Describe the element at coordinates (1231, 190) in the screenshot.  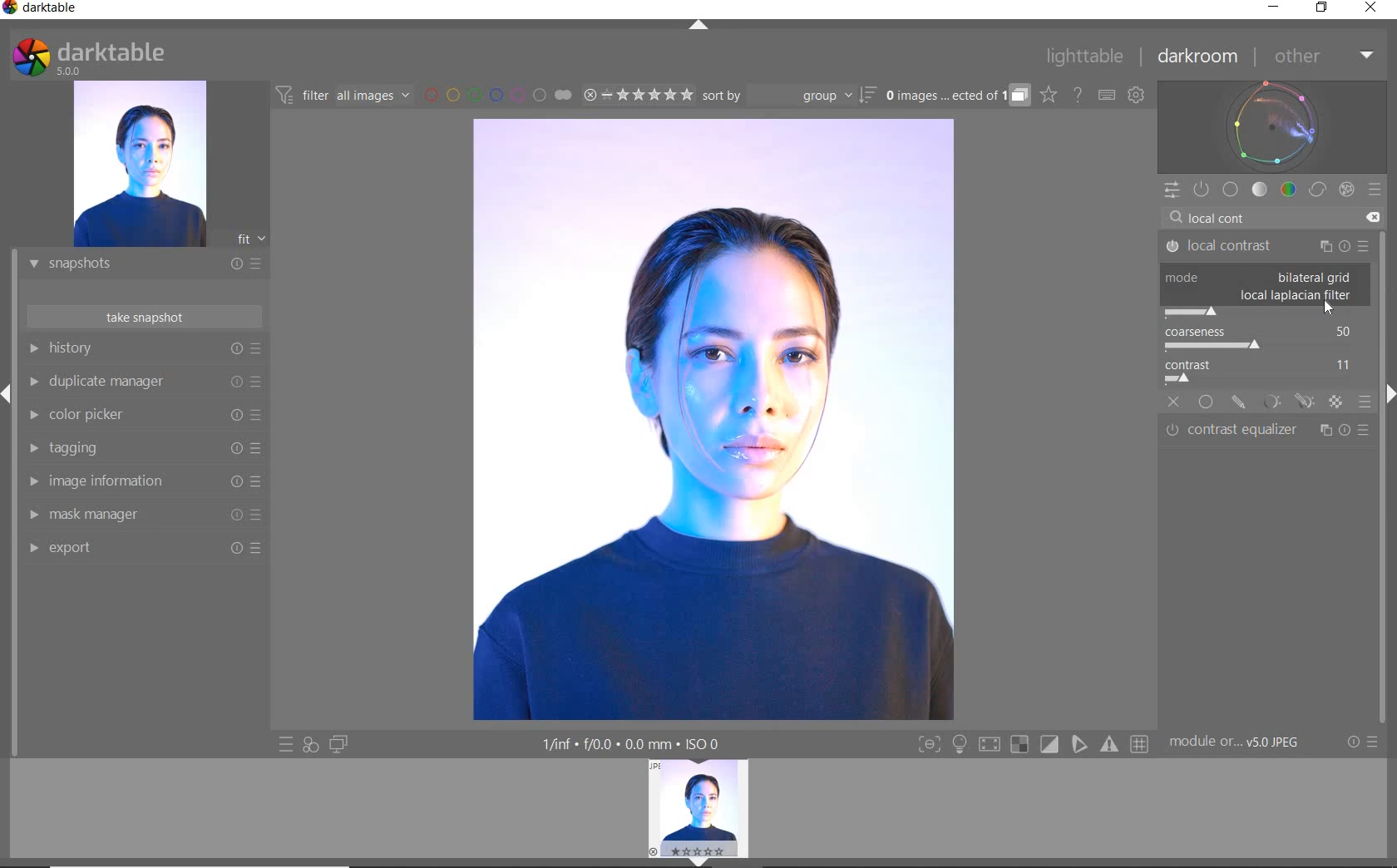
I see `BASE` at that location.